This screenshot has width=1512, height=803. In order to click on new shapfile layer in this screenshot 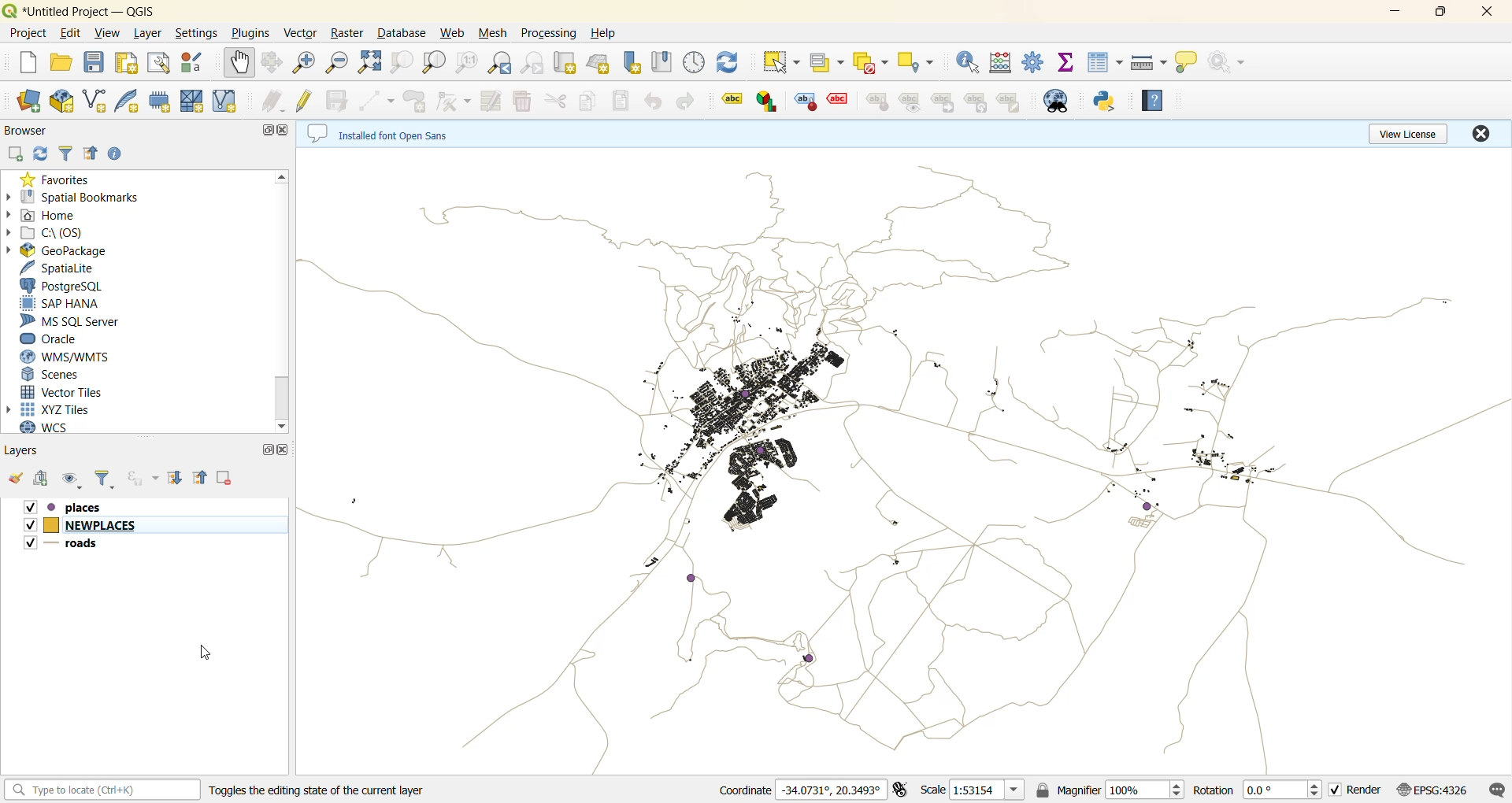, I will do `click(94, 103)`.